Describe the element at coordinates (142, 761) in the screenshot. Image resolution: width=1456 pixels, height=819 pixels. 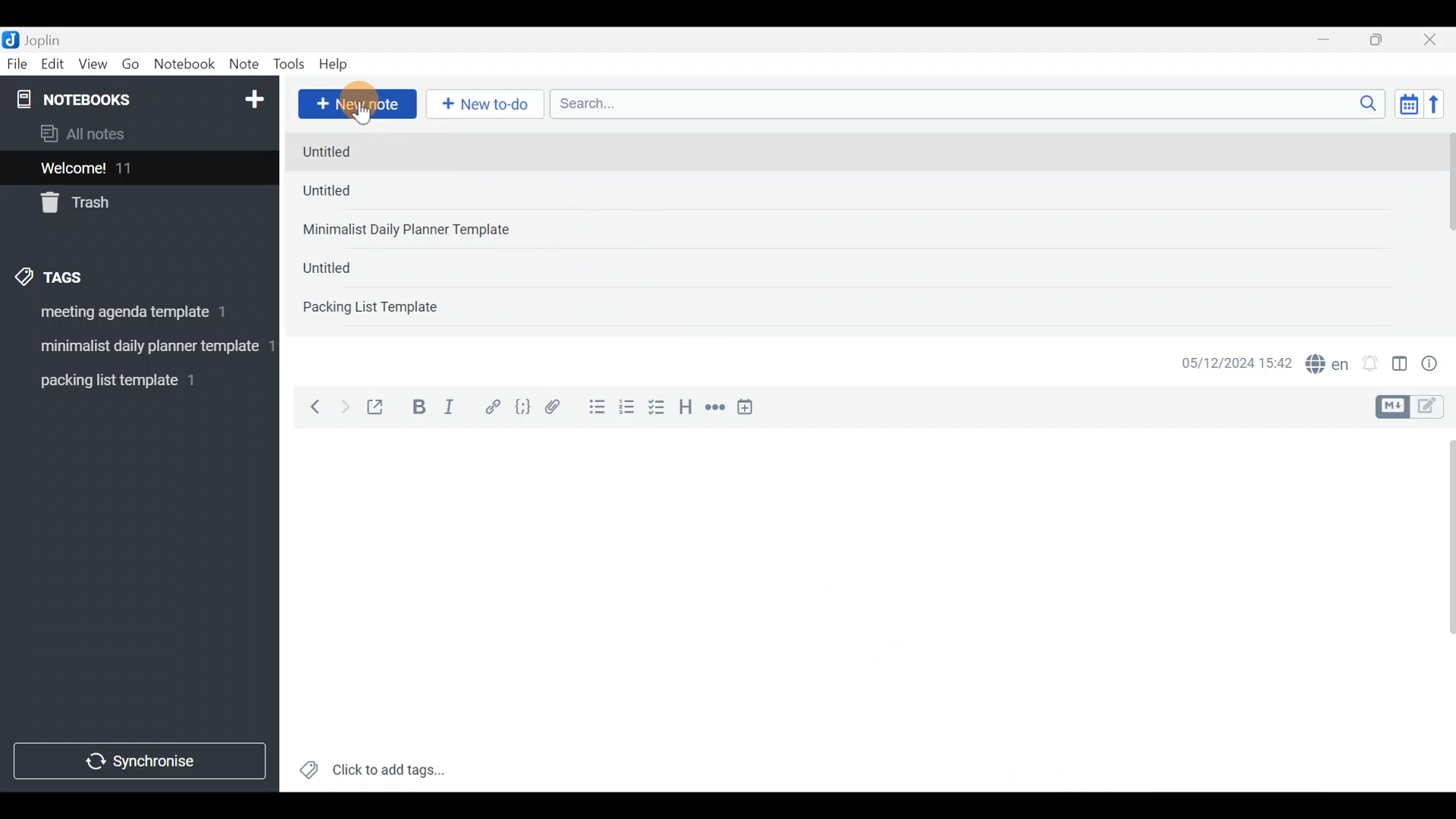
I see `Synchronize` at that location.